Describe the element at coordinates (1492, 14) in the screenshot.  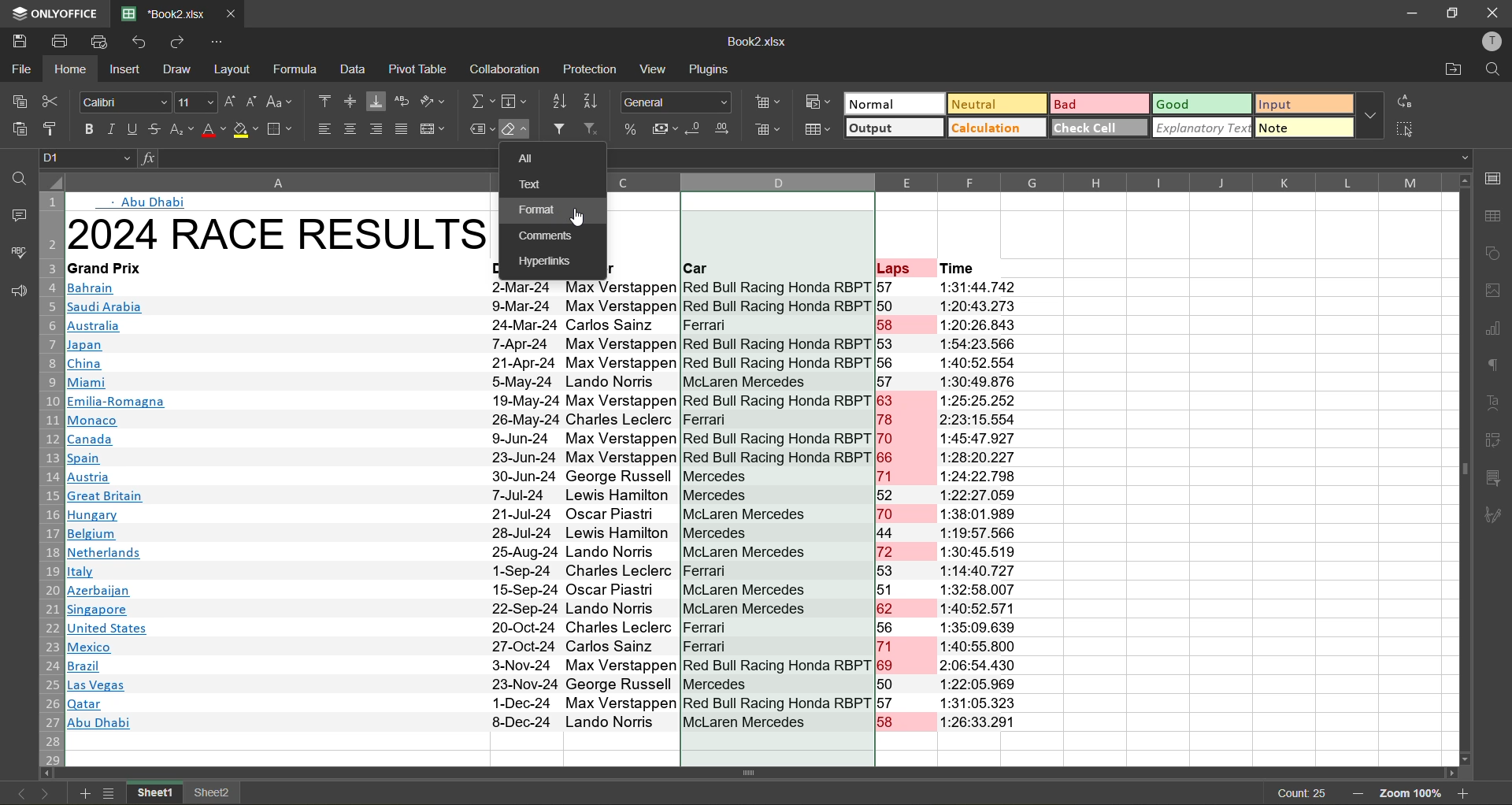
I see `close` at that location.